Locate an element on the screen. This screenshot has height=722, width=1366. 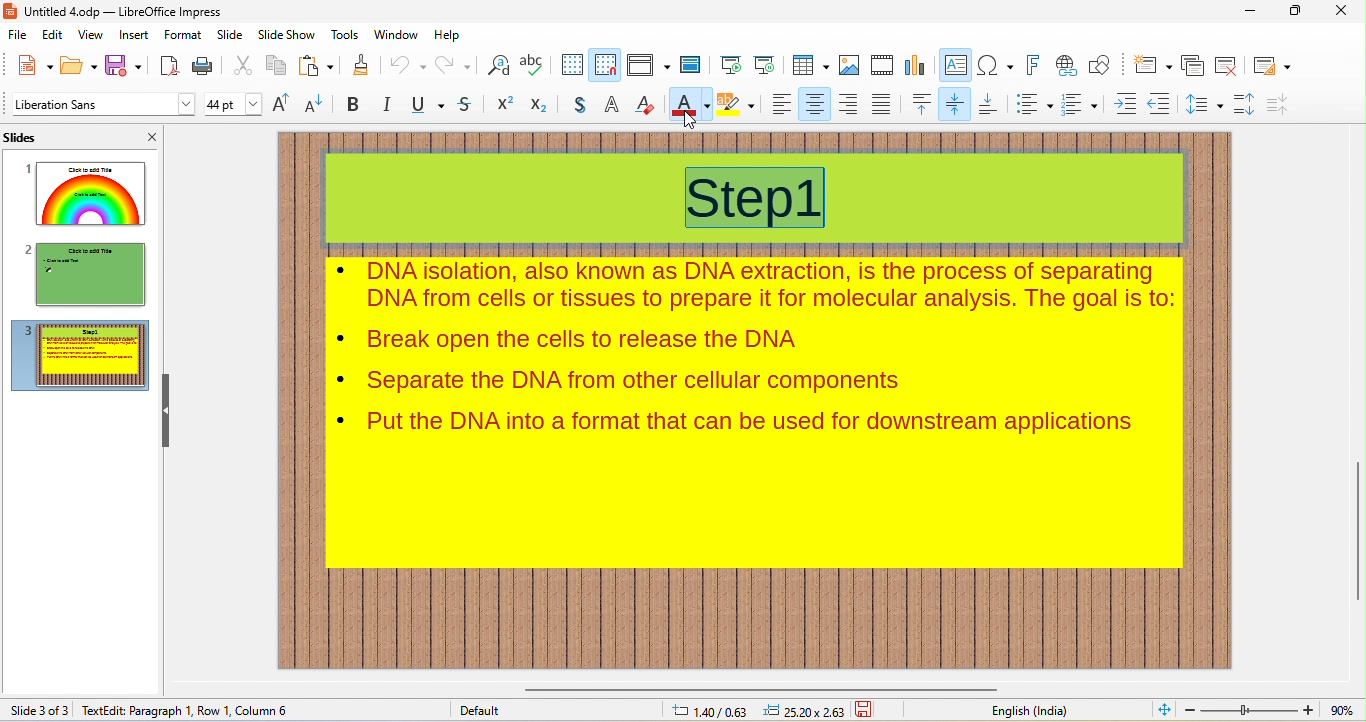
copy is located at coordinates (274, 66).